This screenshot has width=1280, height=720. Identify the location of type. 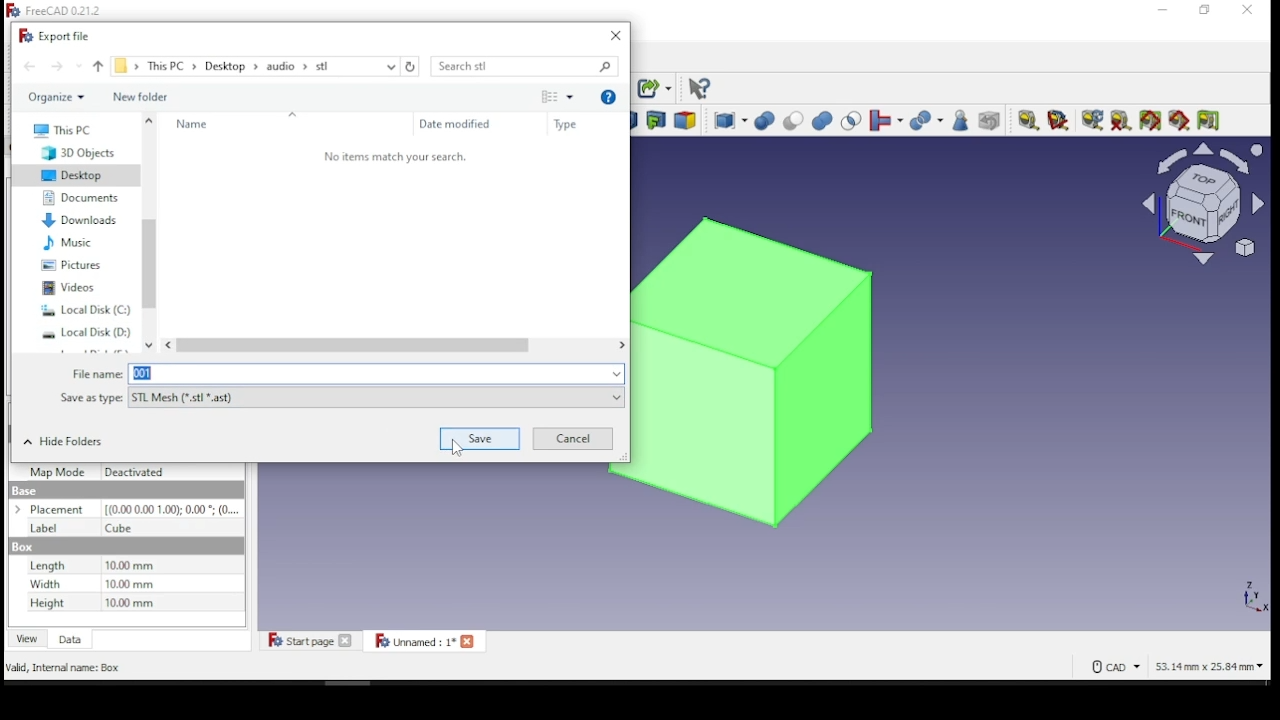
(571, 123).